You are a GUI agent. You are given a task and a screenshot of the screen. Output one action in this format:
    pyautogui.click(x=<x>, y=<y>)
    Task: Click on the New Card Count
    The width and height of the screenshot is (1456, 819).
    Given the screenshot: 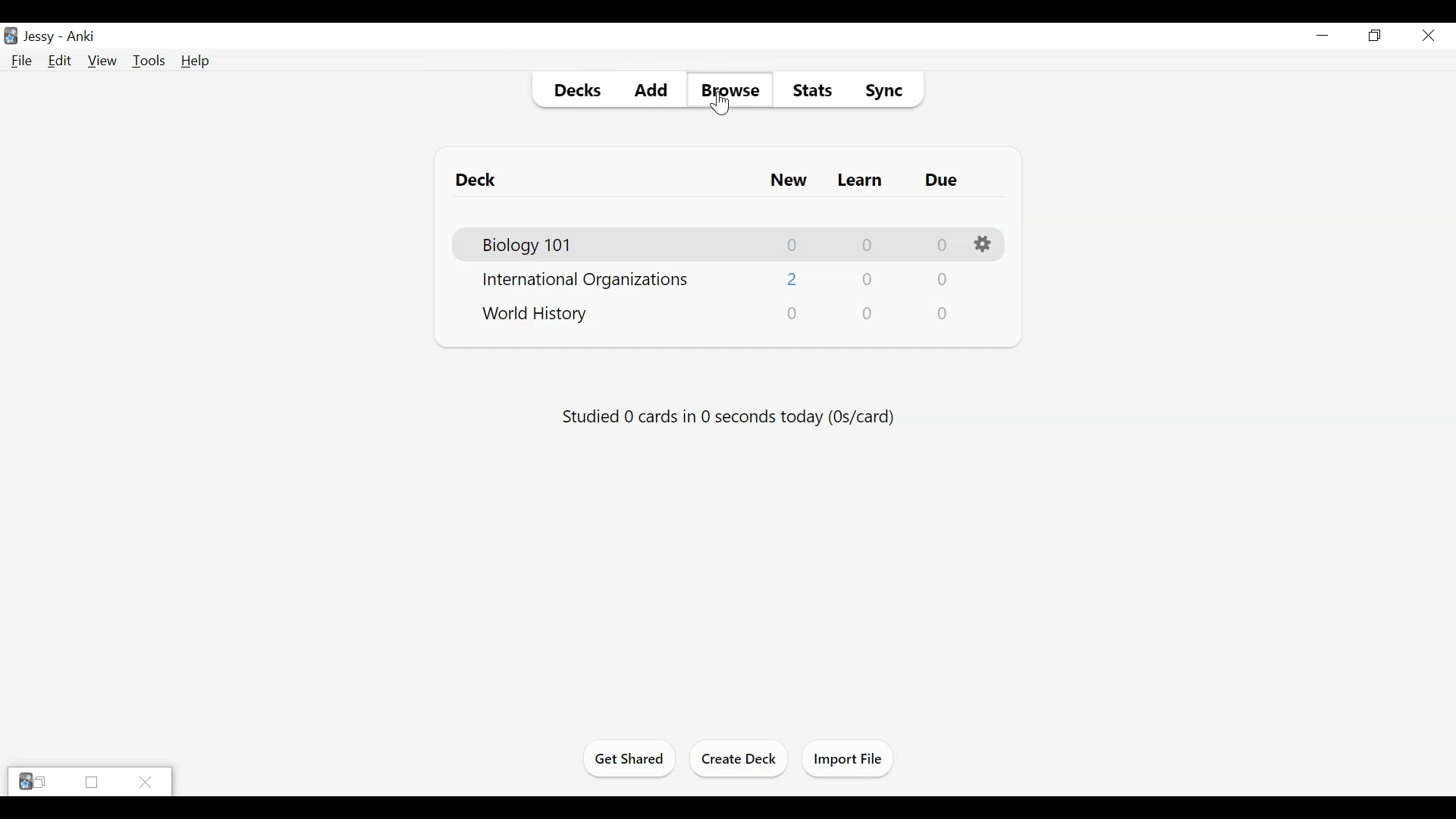 What is the action you would take?
    pyautogui.click(x=792, y=281)
    